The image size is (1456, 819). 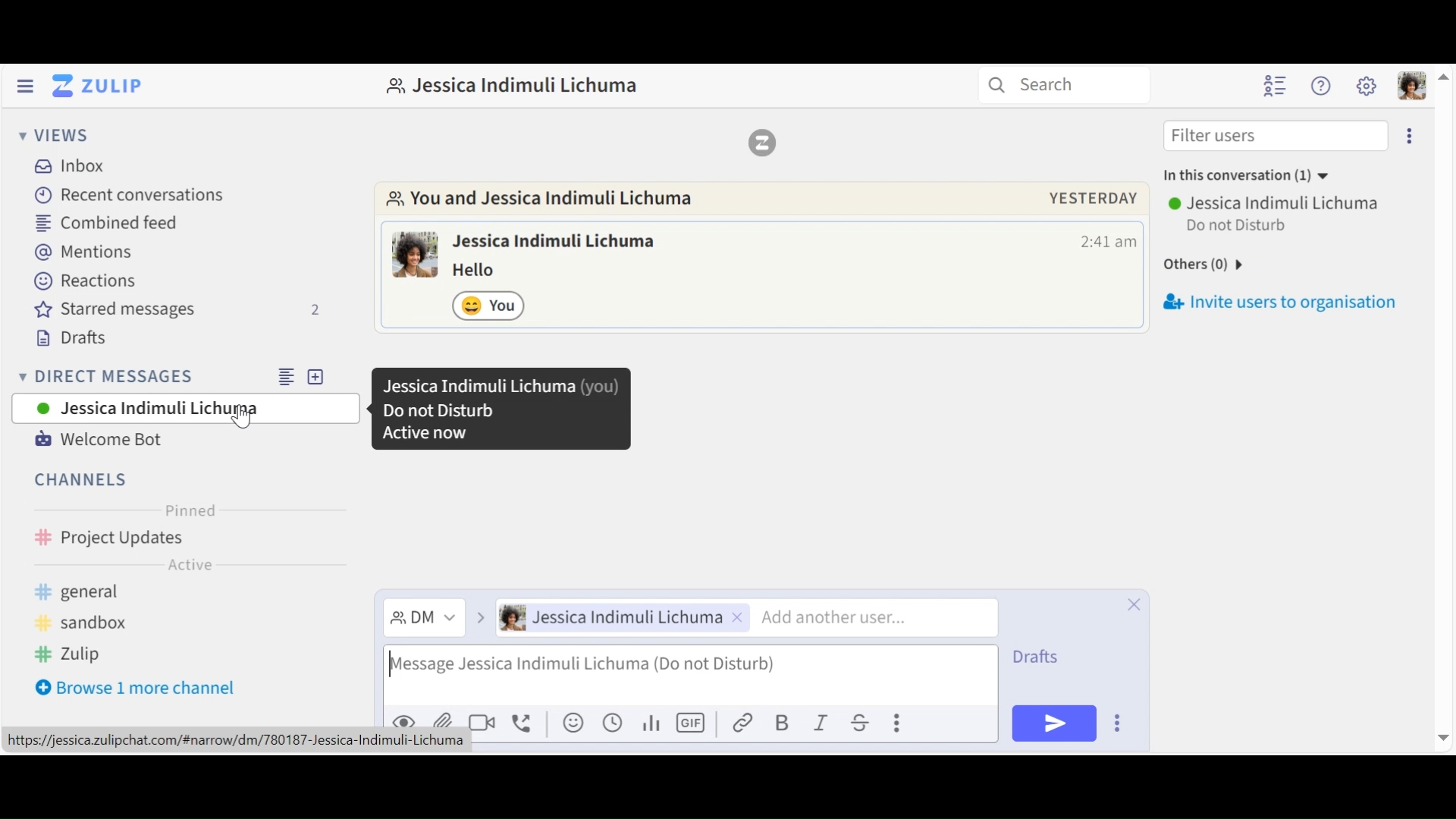 I want to click on url, so click(x=243, y=741).